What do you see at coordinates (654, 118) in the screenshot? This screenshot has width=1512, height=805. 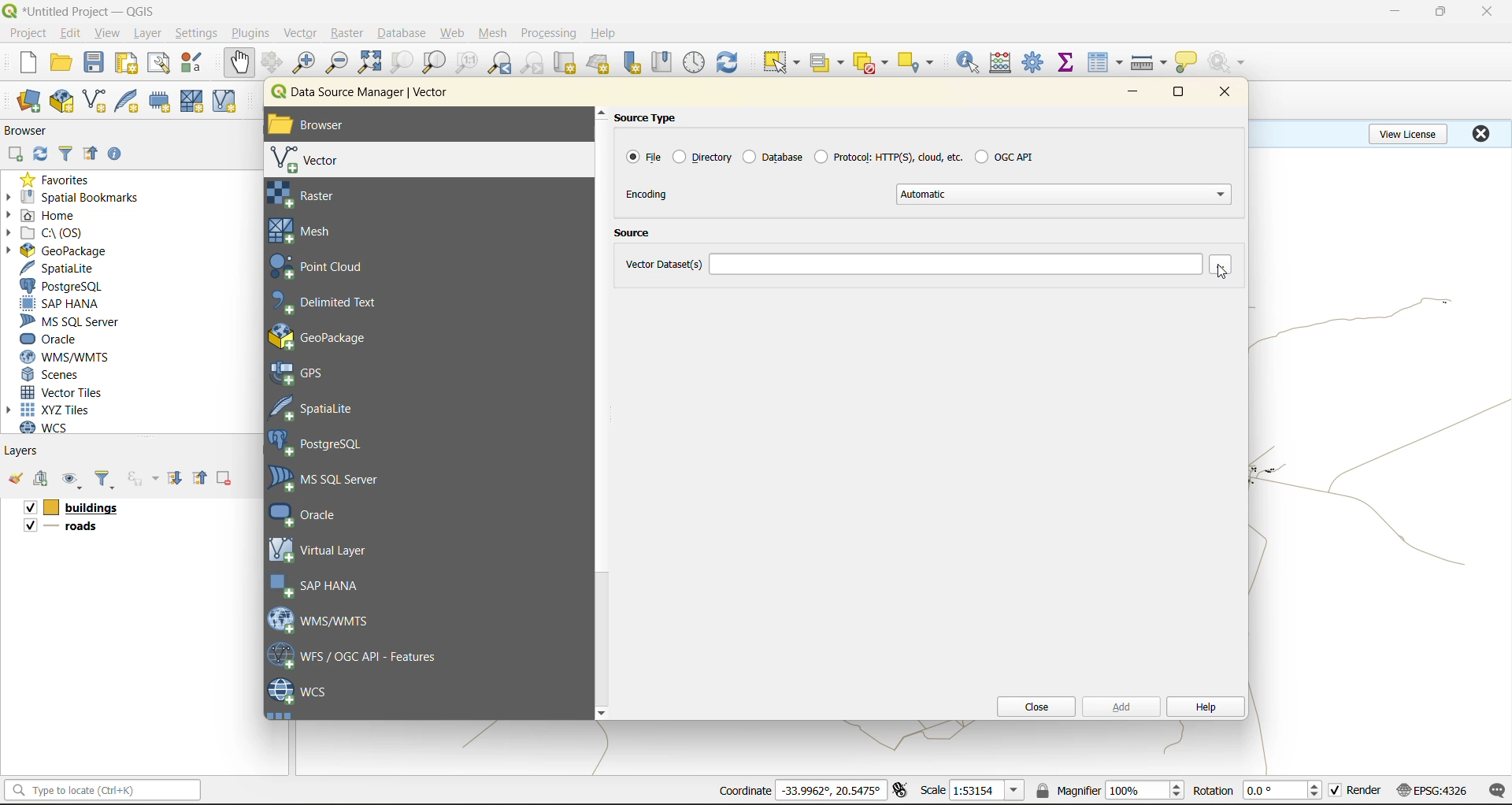 I see `source  type` at bounding box center [654, 118].